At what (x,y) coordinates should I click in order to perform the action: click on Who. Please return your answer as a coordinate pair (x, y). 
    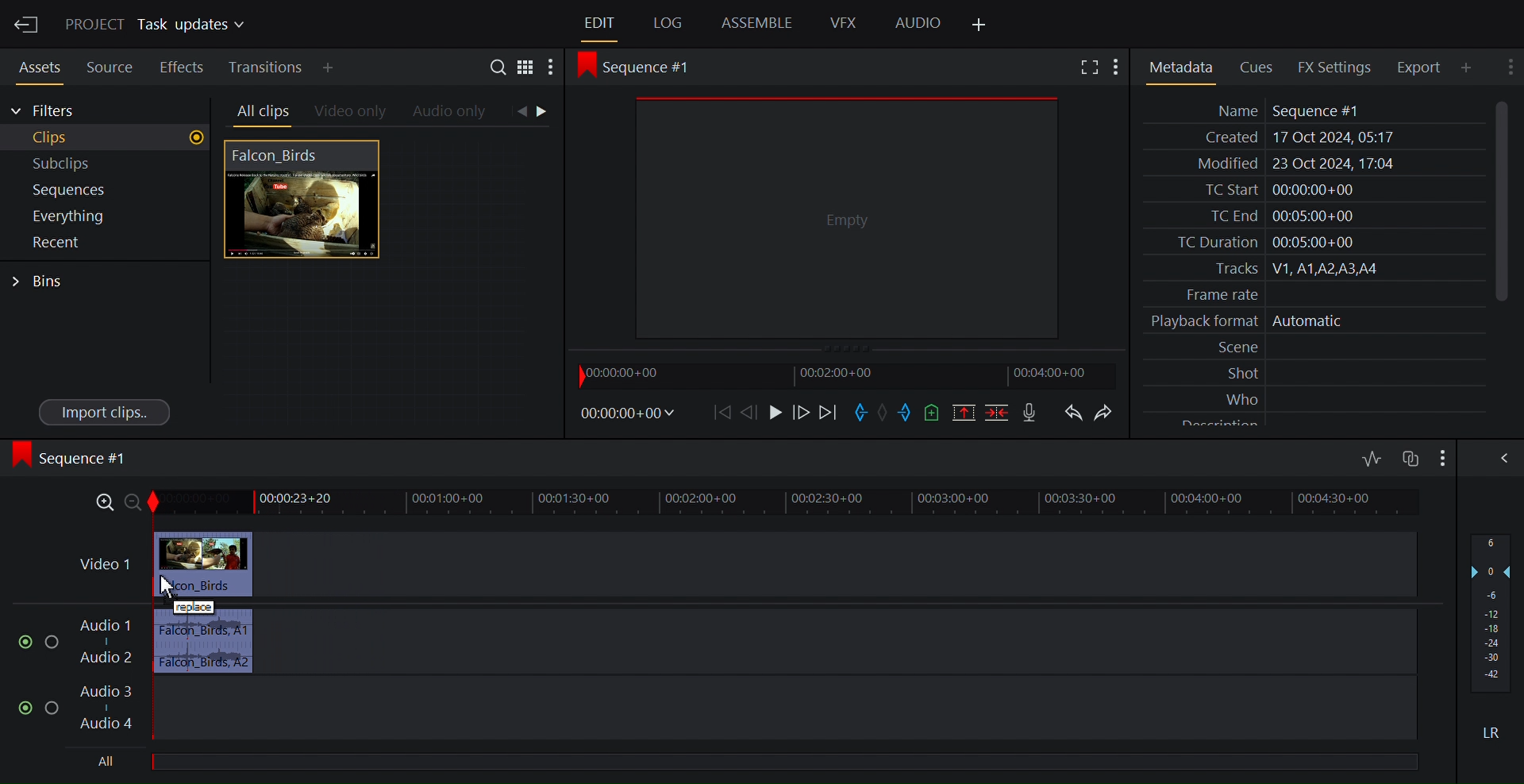
    Looking at the image, I should click on (1315, 397).